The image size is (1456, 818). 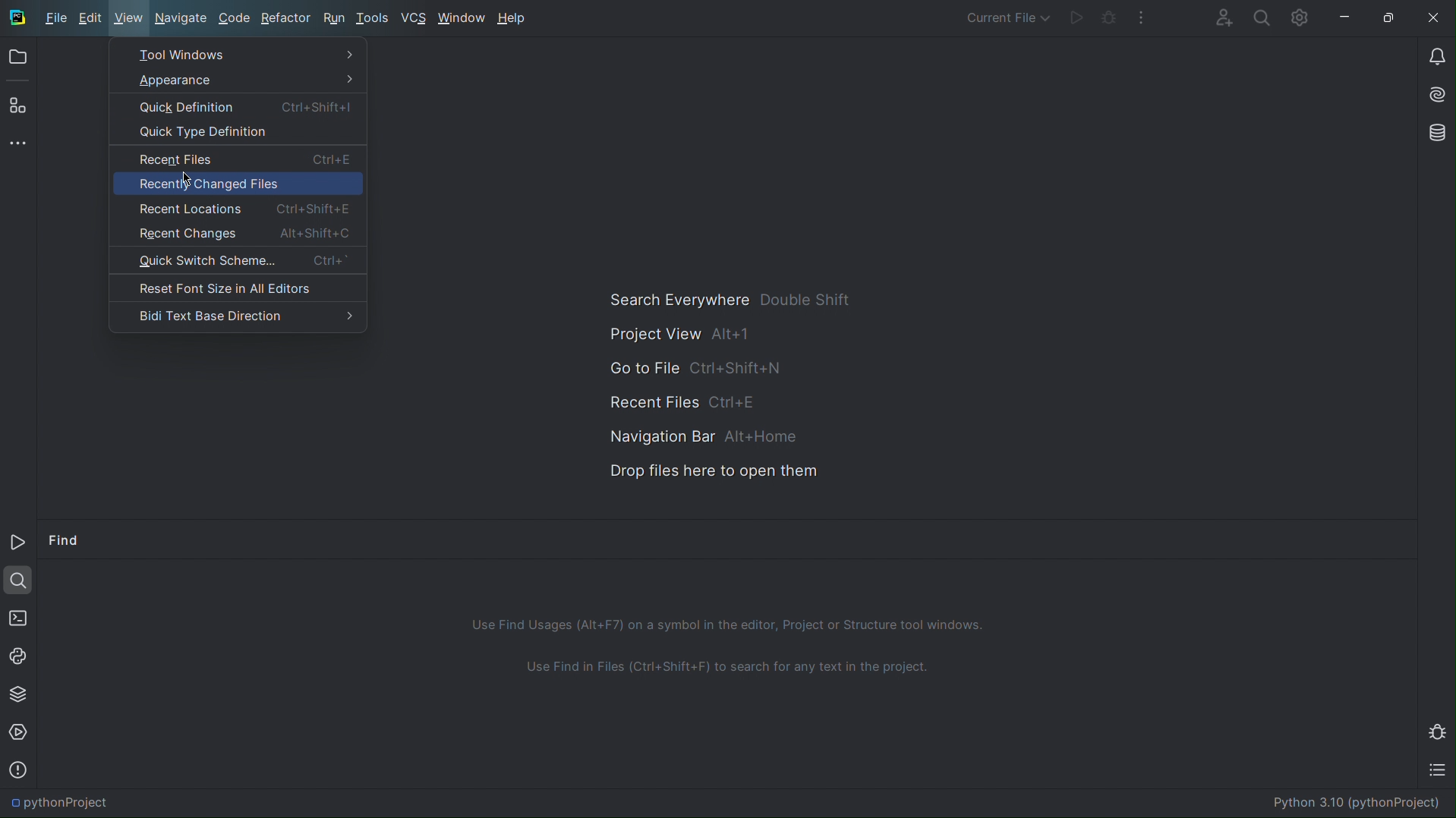 I want to click on Edit, so click(x=93, y=19).